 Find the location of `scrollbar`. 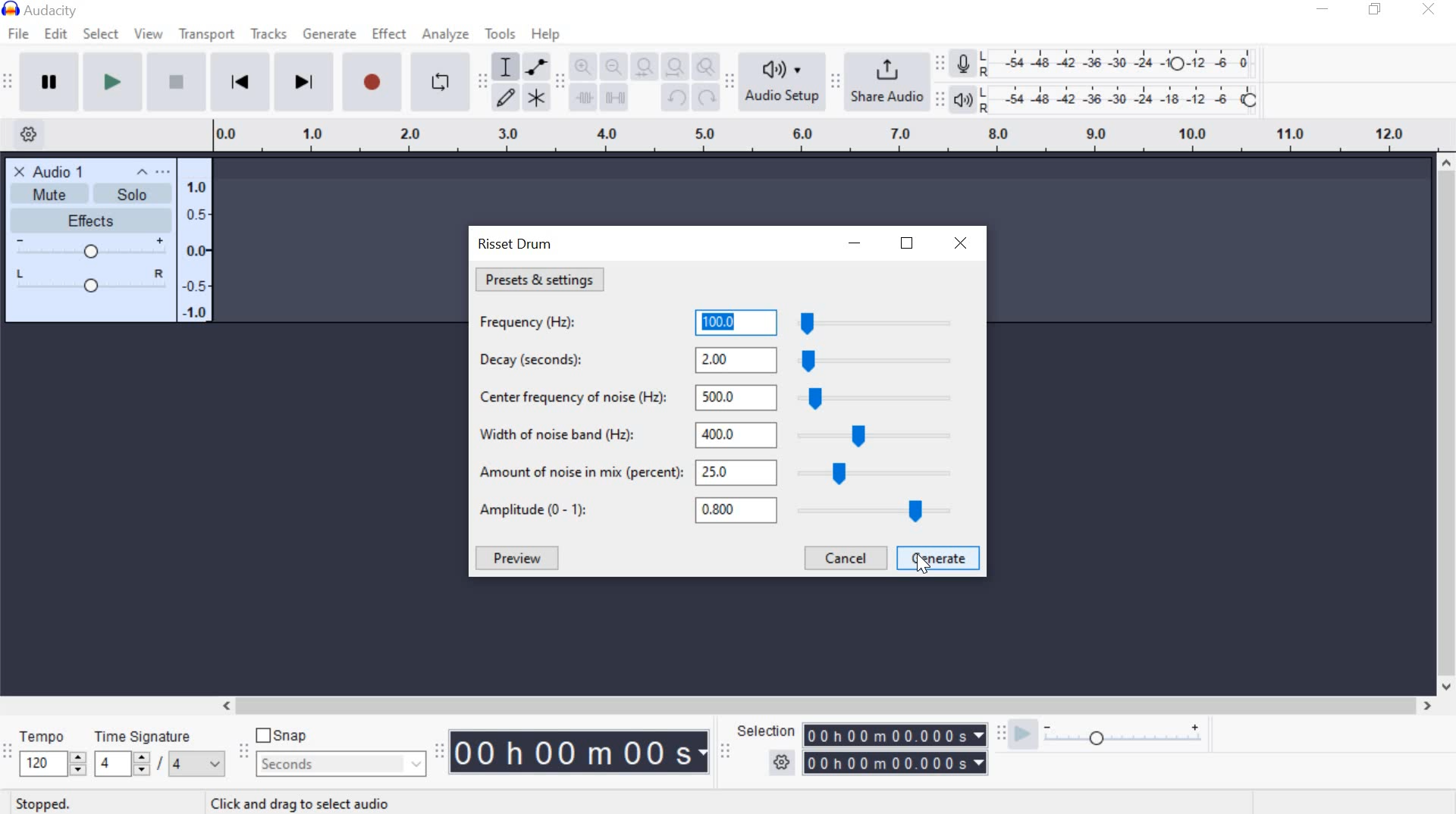

scrollbar is located at coordinates (822, 705).